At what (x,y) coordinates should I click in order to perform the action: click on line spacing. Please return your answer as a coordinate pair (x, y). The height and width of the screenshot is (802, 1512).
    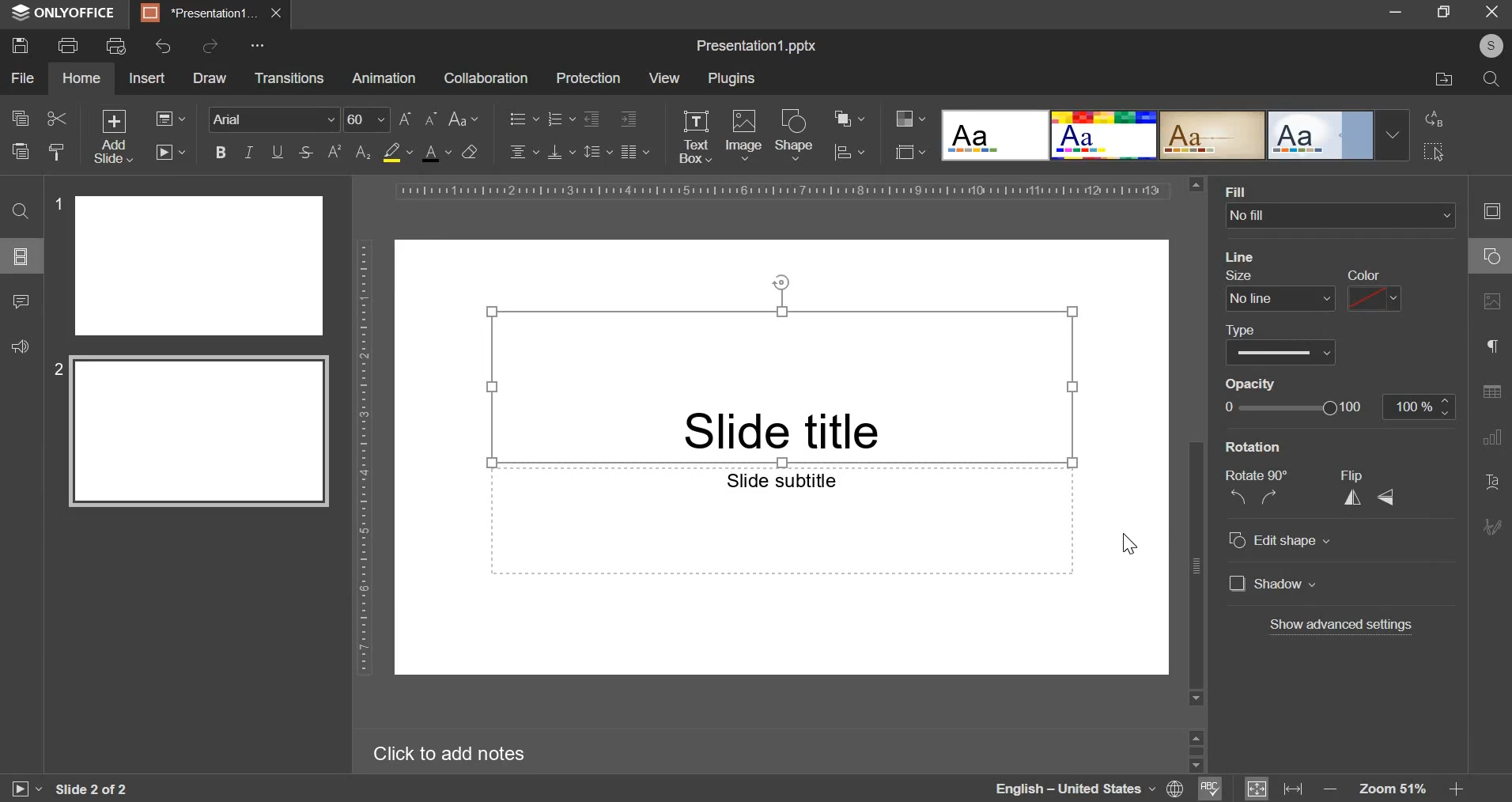
    Looking at the image, I should click on (599, 150).